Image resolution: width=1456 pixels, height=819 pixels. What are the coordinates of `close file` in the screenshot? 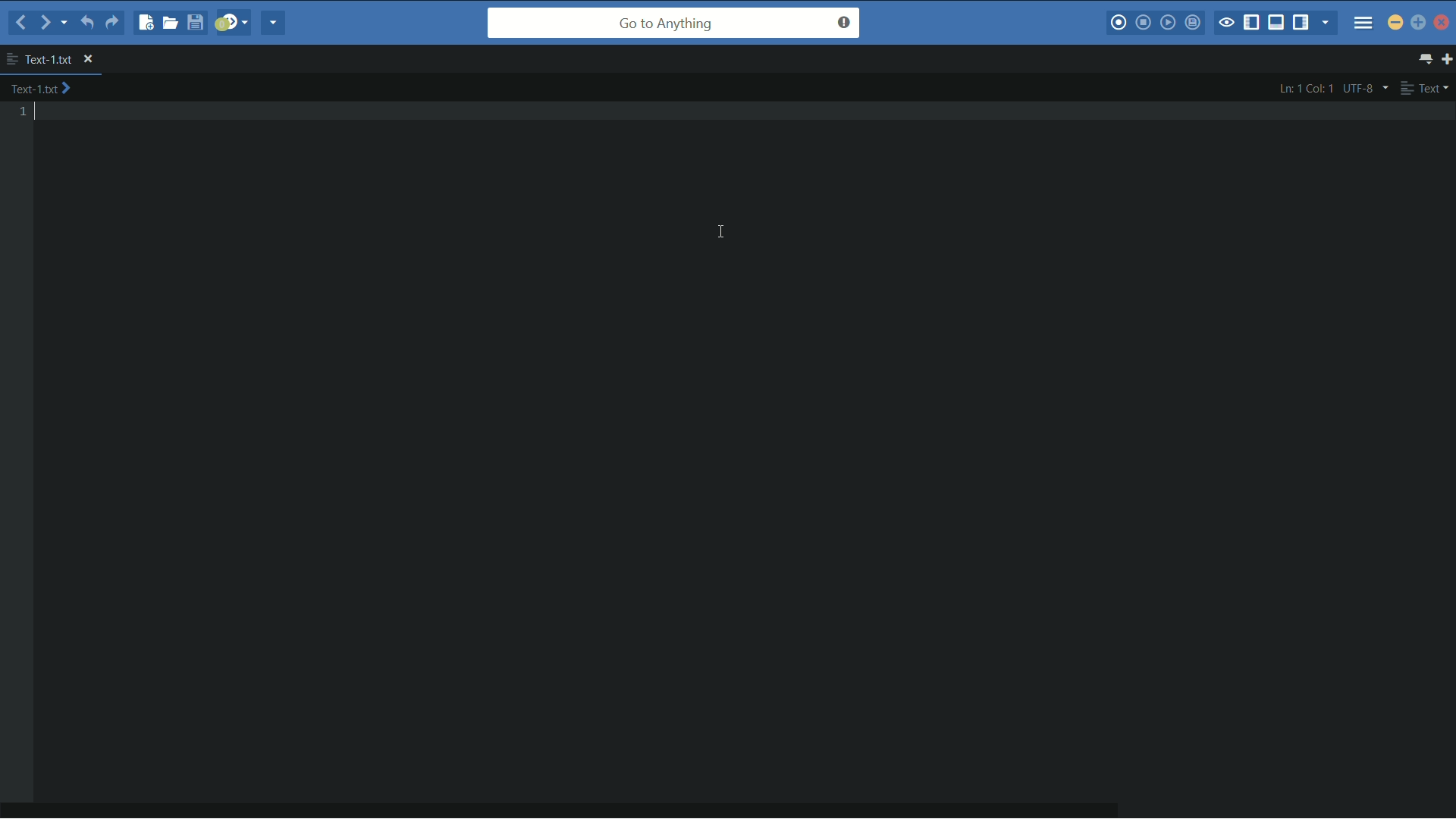 It's located at (88, 60).